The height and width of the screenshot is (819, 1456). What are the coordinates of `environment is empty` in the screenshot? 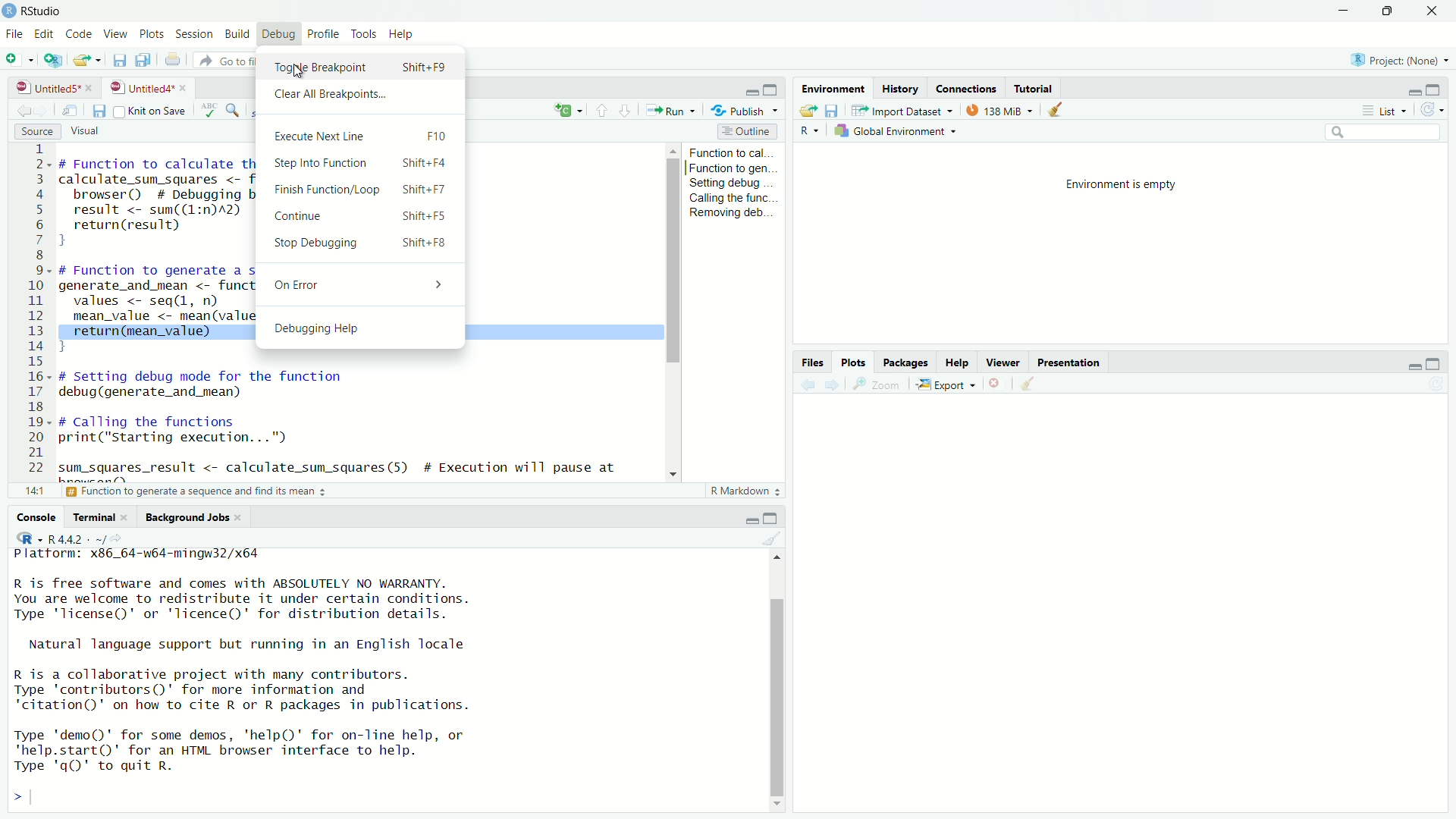 It's located at (1135, 187).